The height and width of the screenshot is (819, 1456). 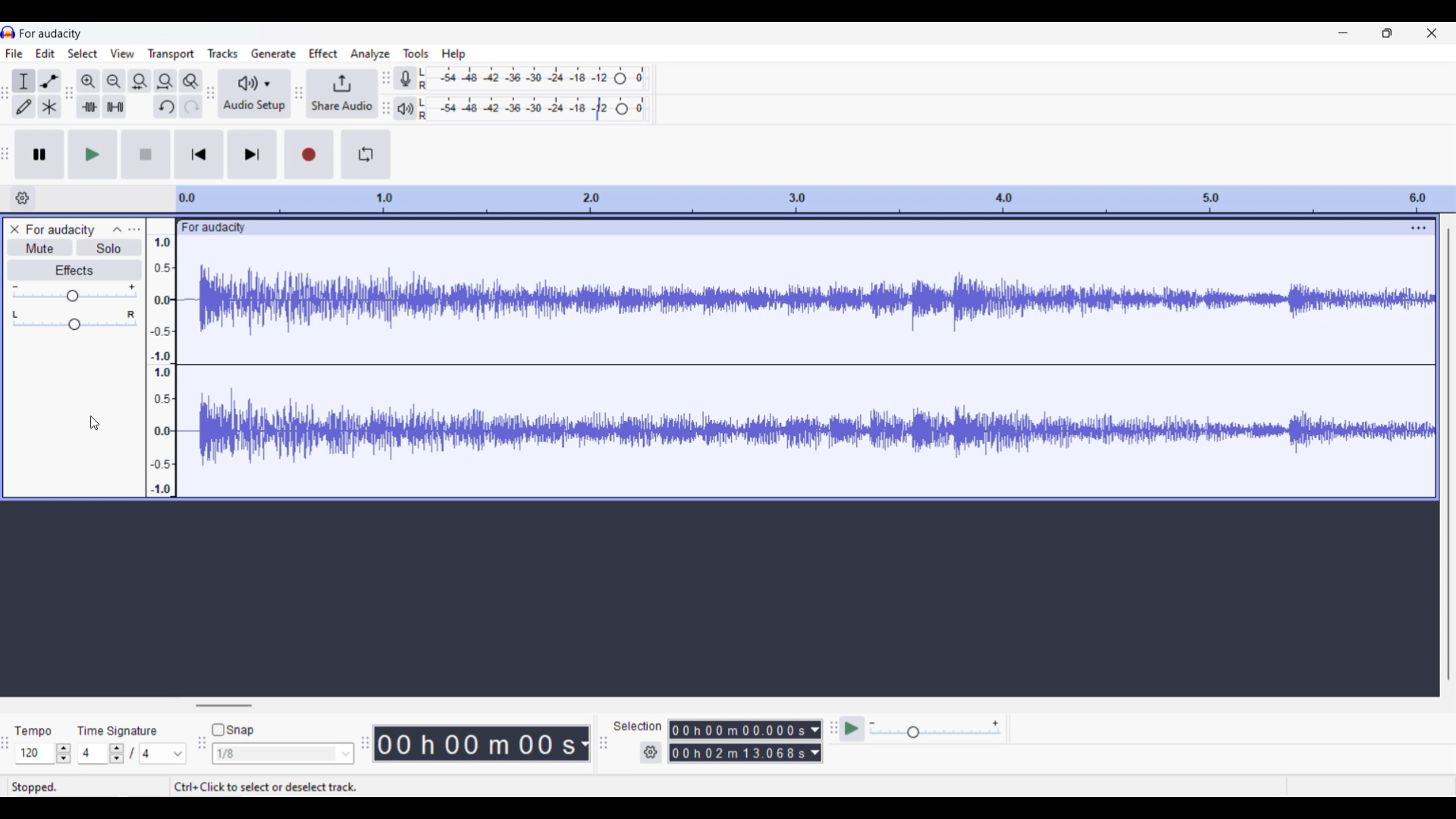 I want to click on Vertical slide bar, so click(x=1449, y=456).